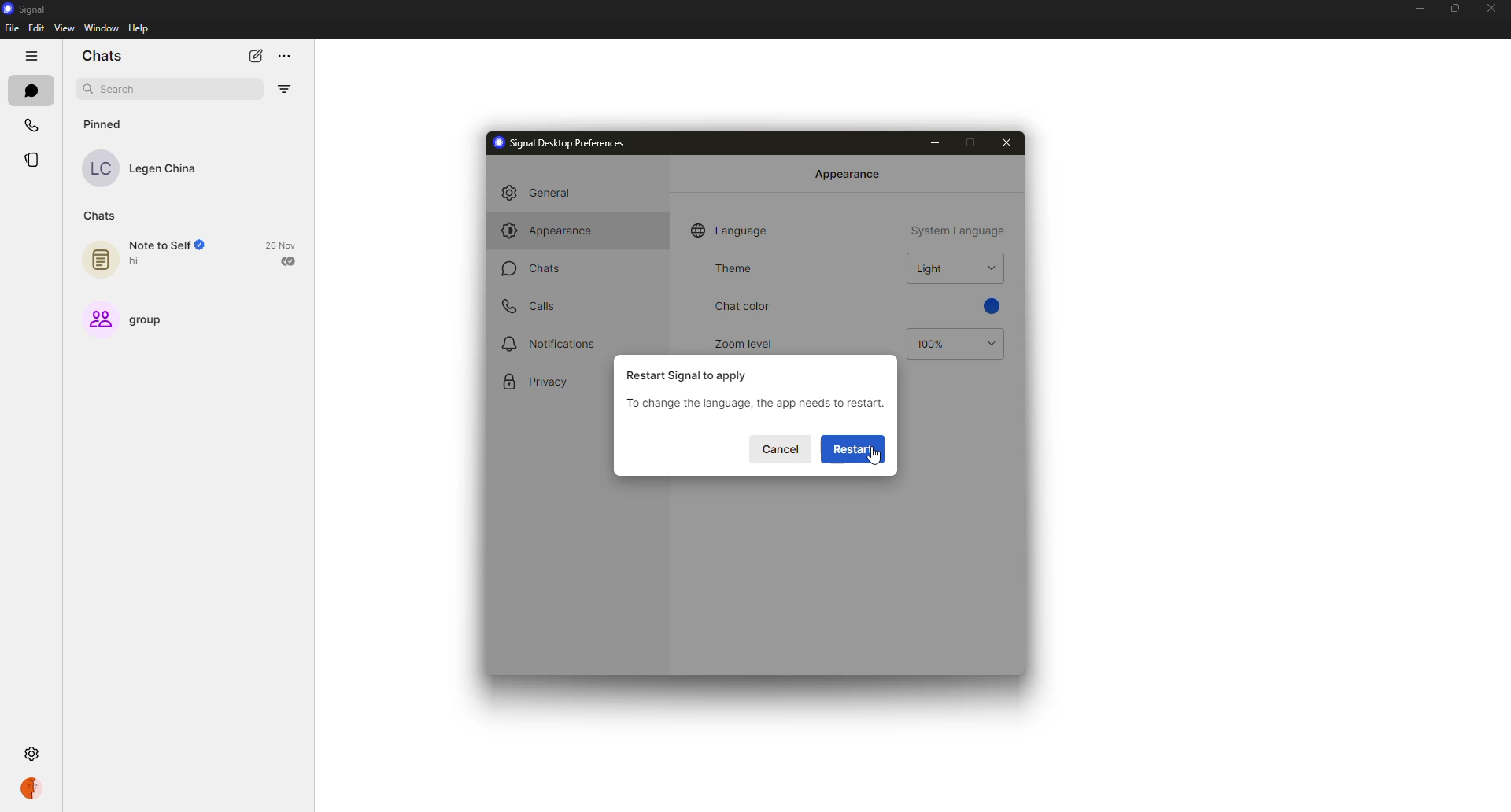  I want to click on settings, so click(34, 754).